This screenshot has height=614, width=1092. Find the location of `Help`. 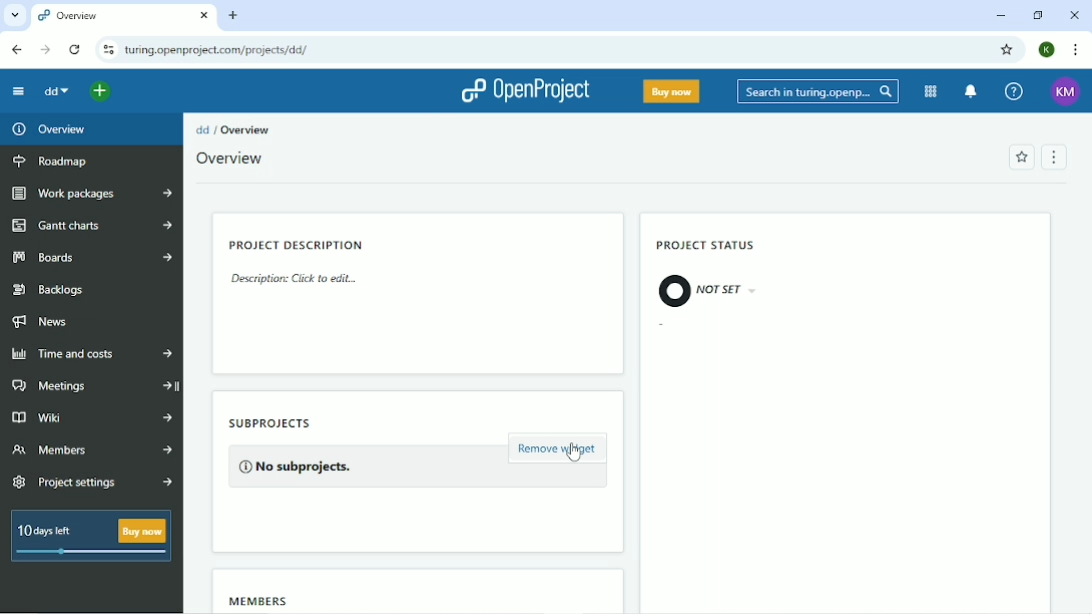

Help is located at coordinates (1014, 92).